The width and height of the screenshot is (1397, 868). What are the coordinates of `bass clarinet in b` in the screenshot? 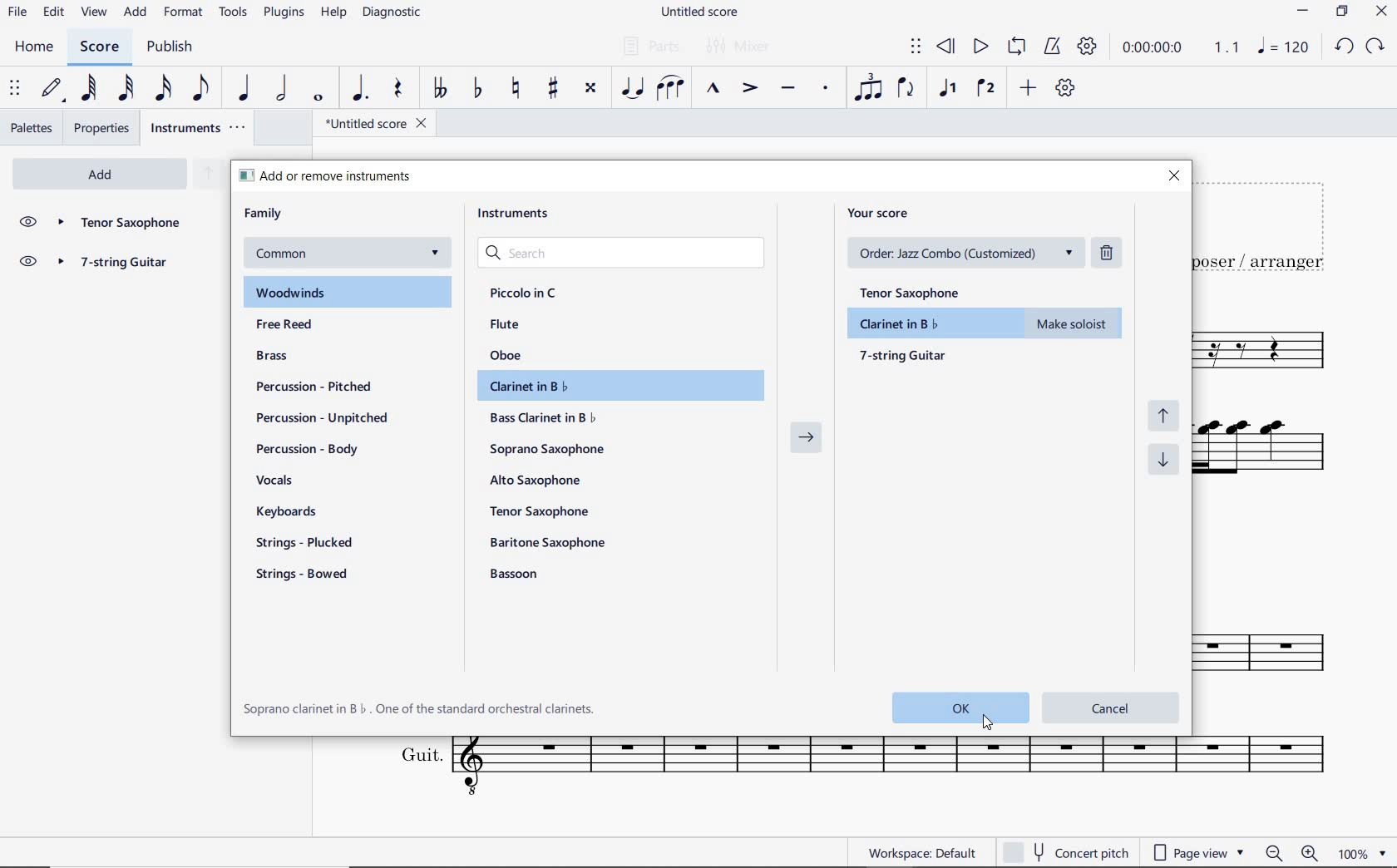 It's located at (545, 417).